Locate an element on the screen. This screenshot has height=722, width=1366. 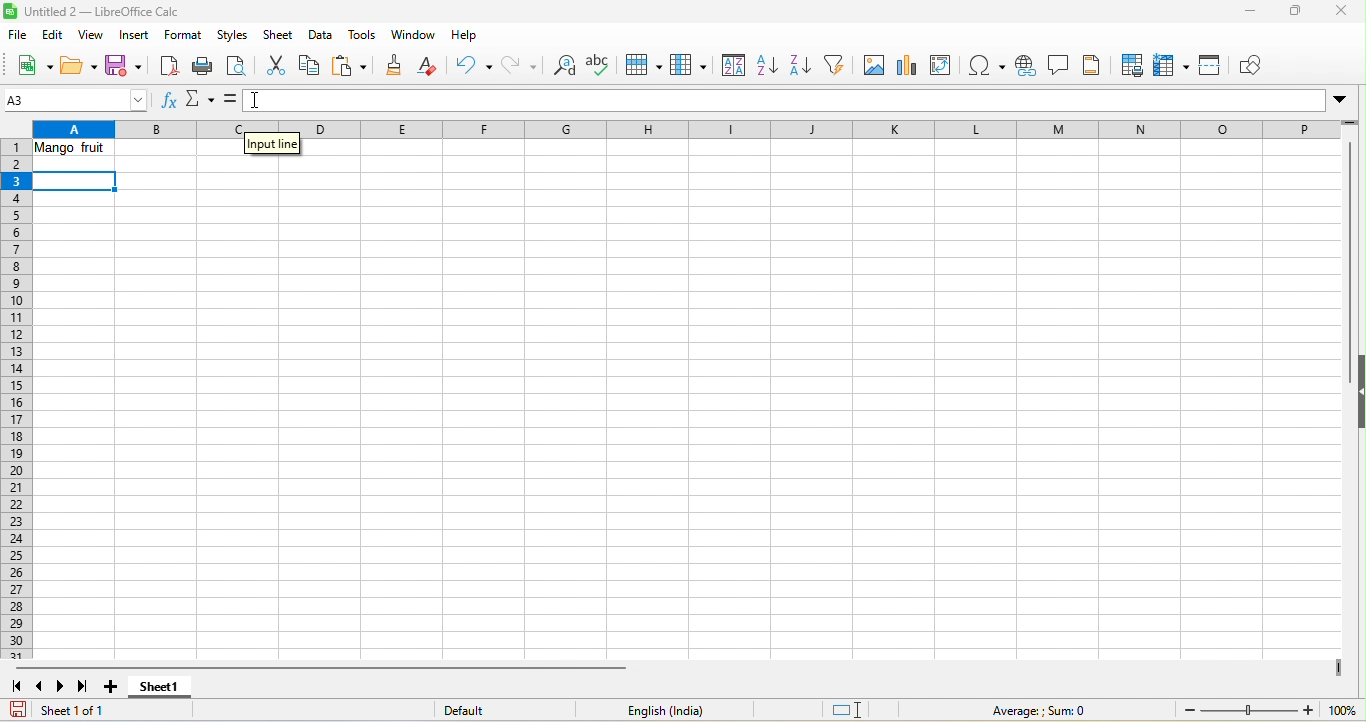
save is located at coordinates (123, 64).